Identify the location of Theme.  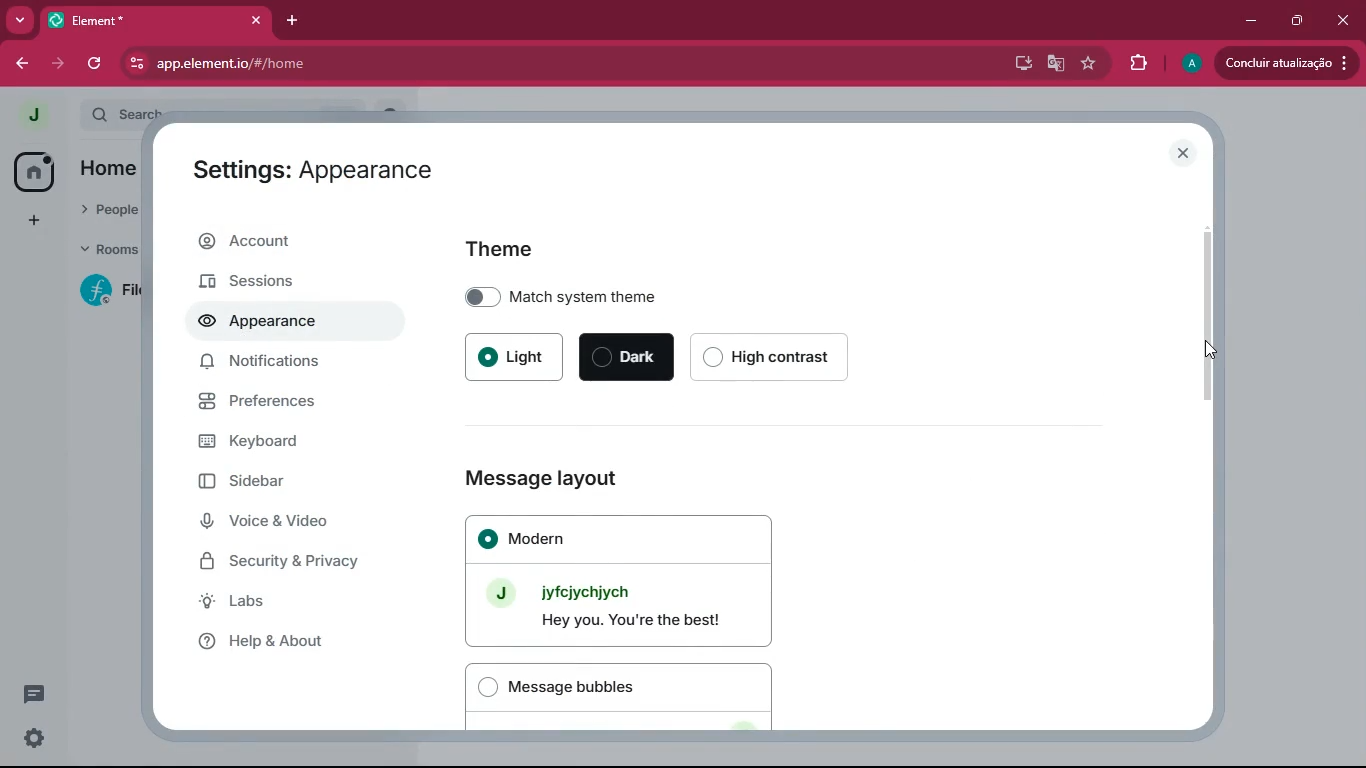
(503, 247).